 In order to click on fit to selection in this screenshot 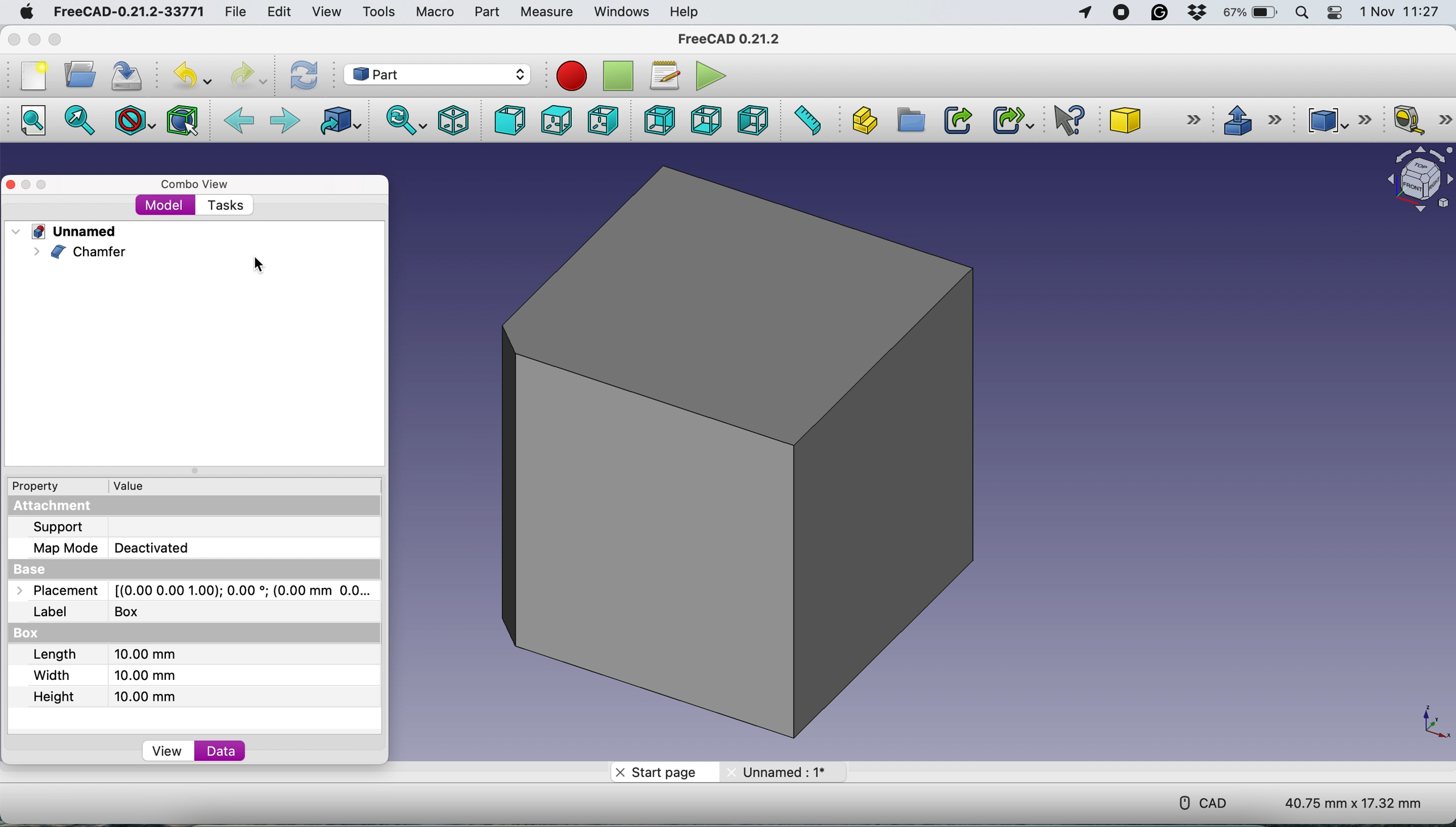, I will do `click(80, 119)`.